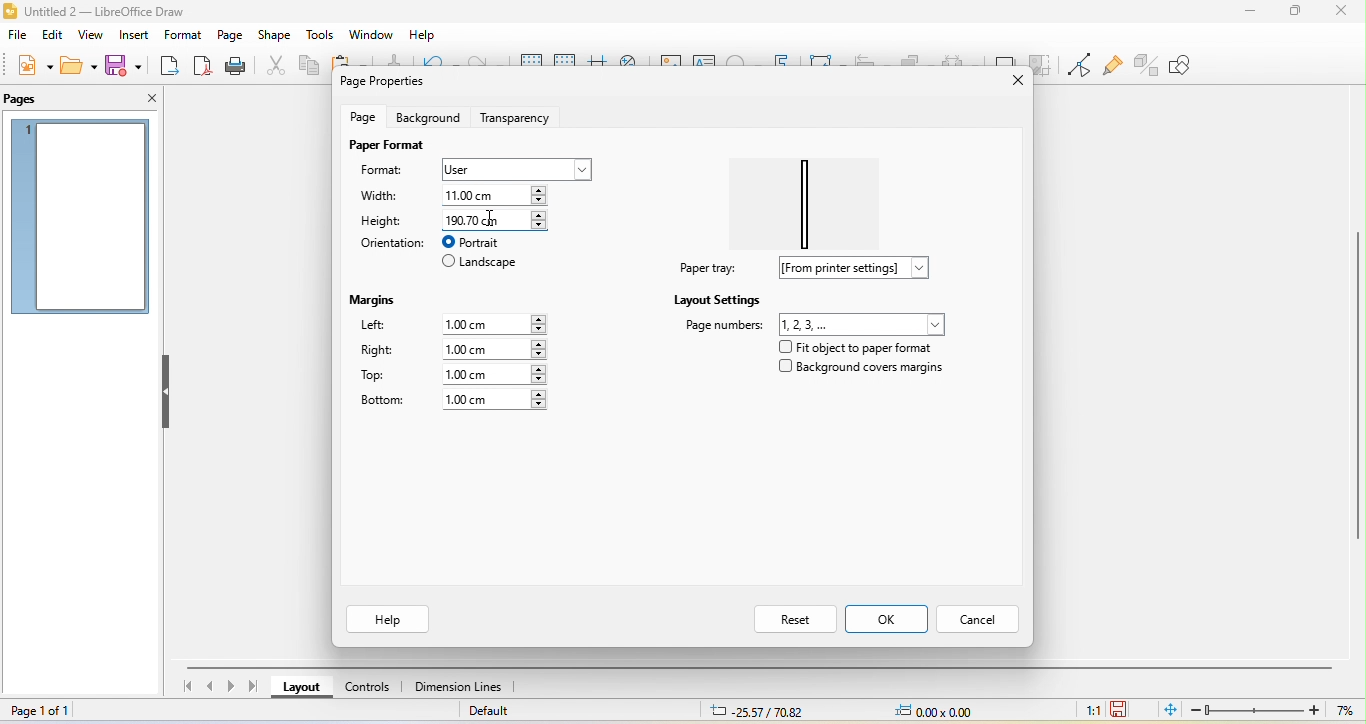 The height and width of the screenshot is (724, 1366). I want to click on 1.00 cm, so click(493, 349).